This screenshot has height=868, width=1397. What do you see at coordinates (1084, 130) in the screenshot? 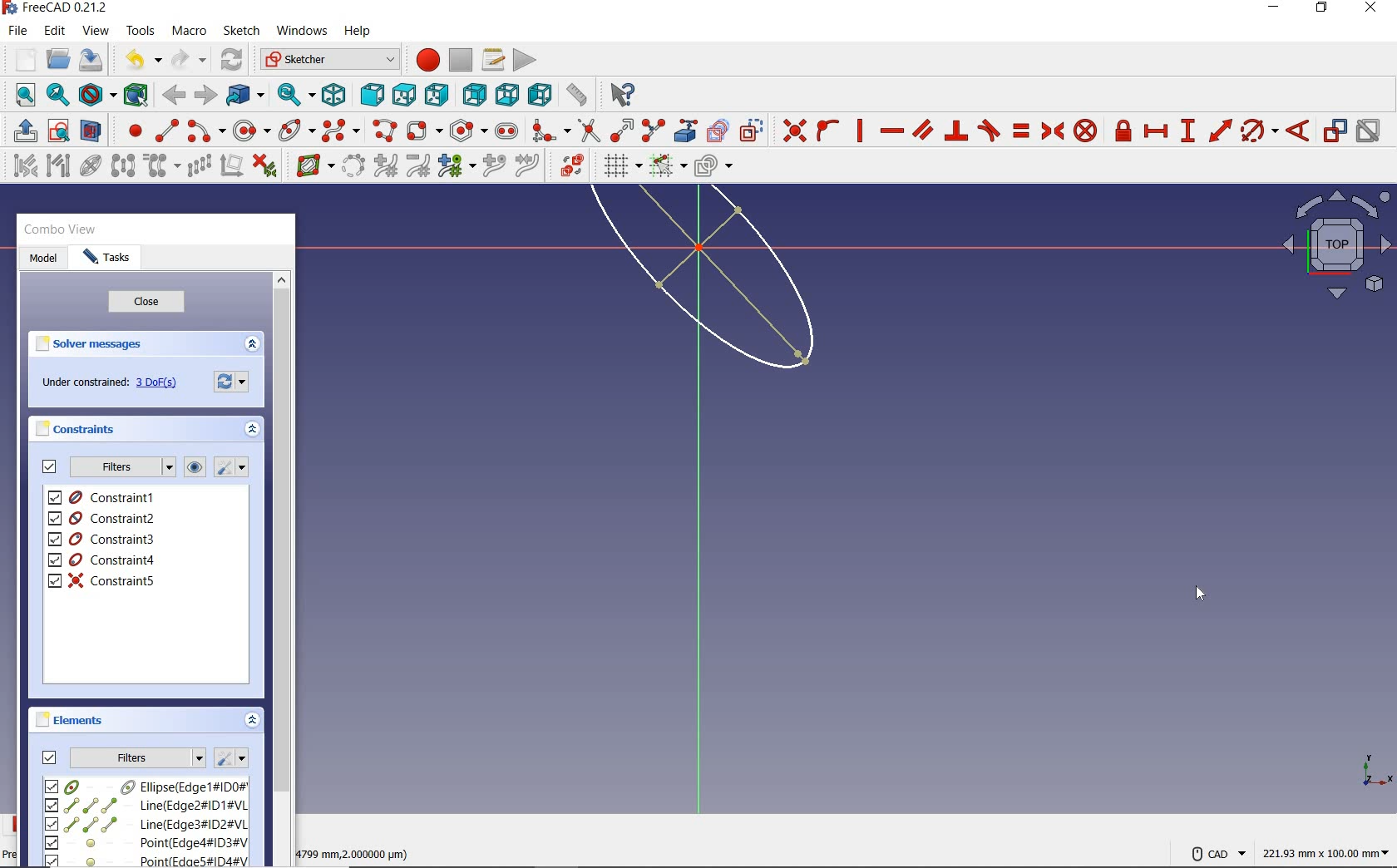
I see `constrain block` at bounding box center [1084, 130].